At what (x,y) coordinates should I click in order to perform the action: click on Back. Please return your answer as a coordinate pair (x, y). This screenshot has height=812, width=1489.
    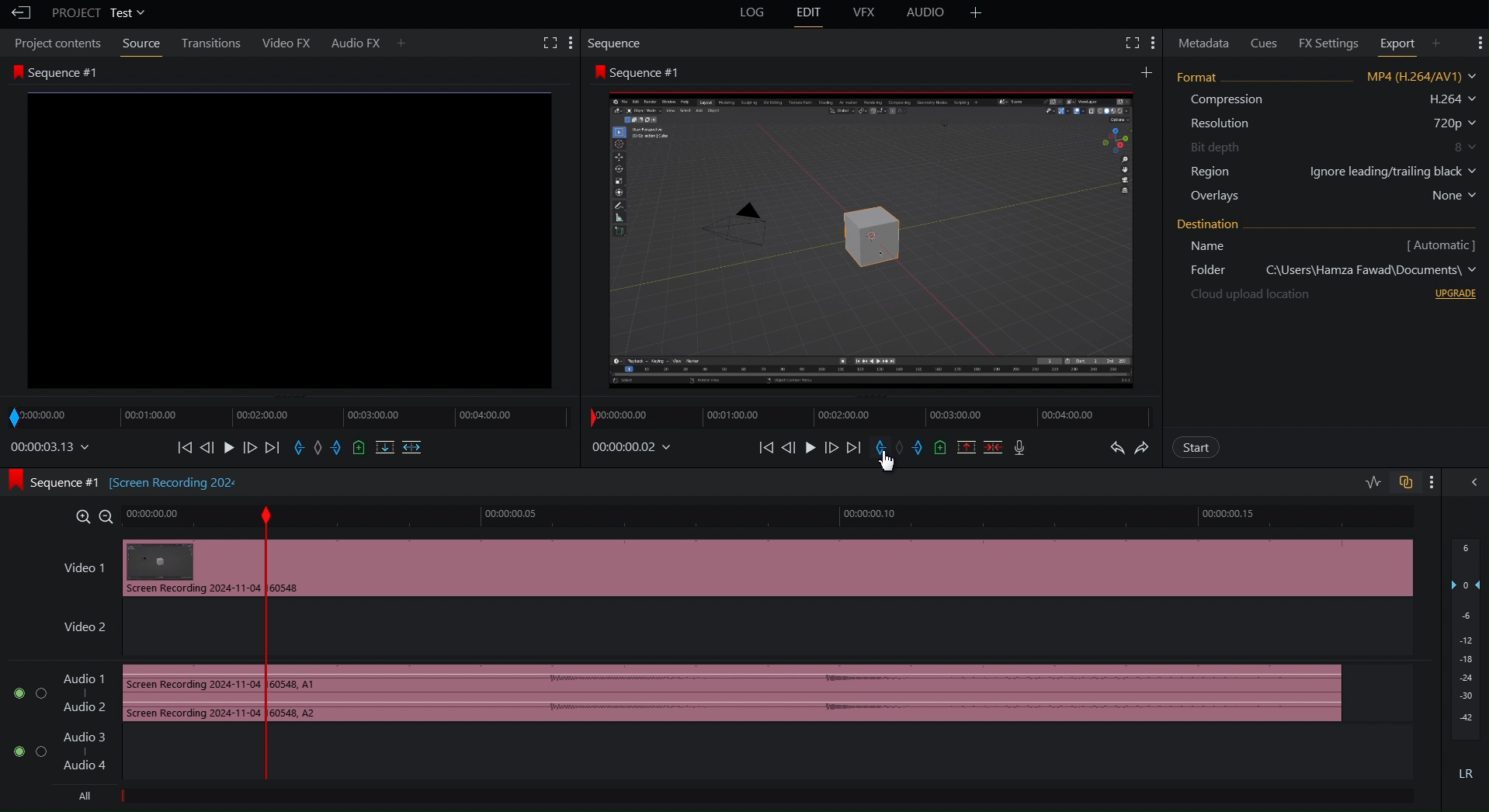
    Looking at the image, I should click on (18, 13).